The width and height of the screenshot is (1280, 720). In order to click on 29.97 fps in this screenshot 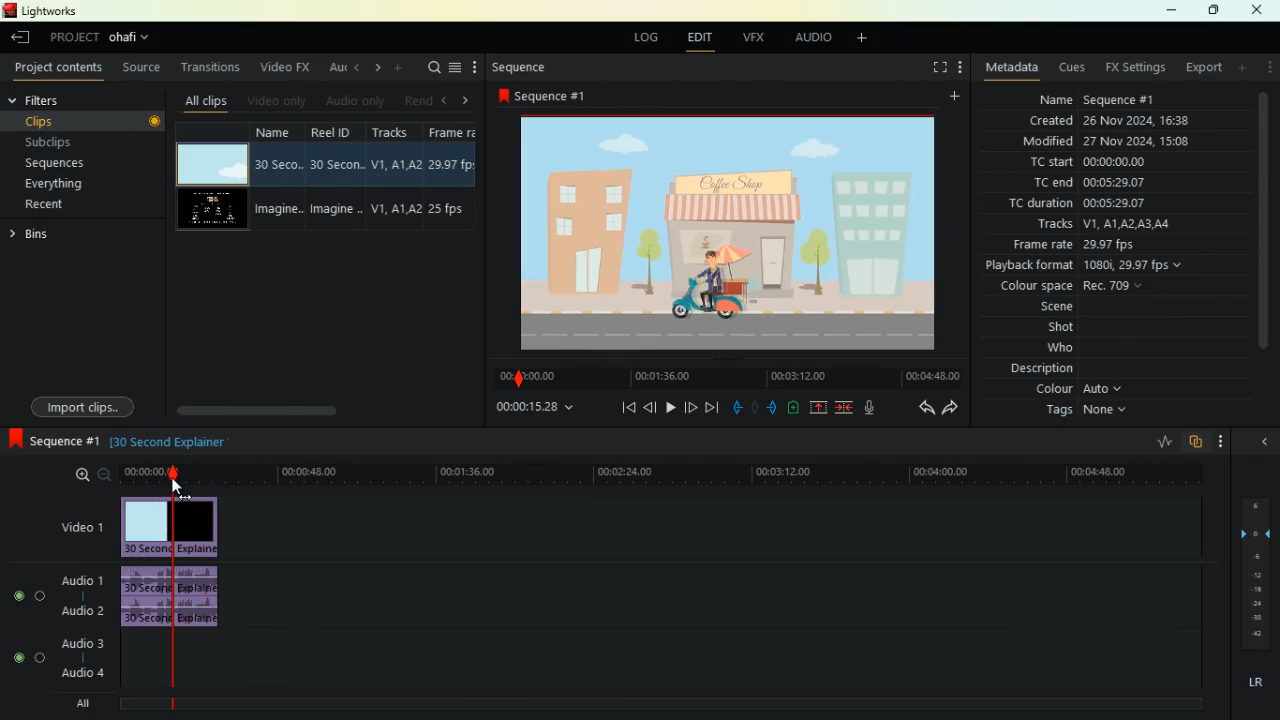, I will do `click(1118, 245)`.